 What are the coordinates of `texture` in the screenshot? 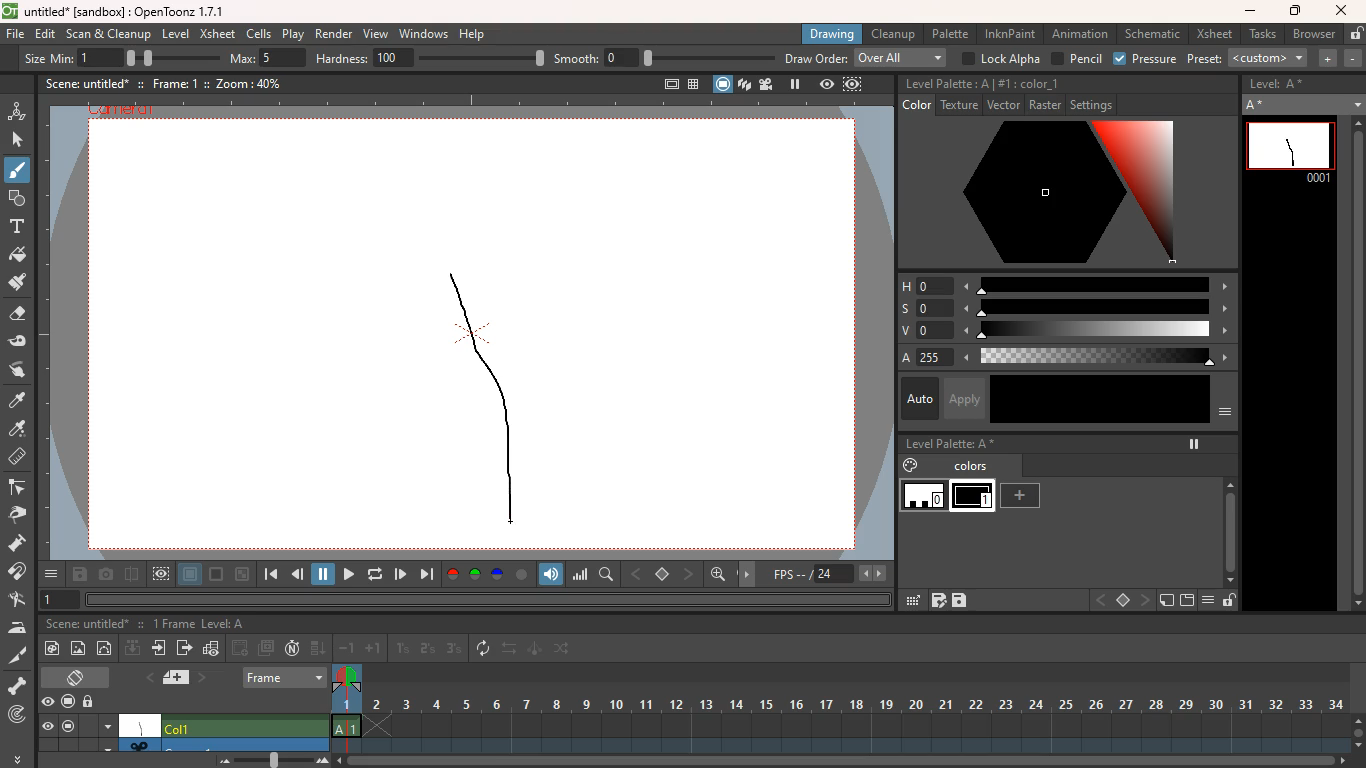 It's located at (959, 106).